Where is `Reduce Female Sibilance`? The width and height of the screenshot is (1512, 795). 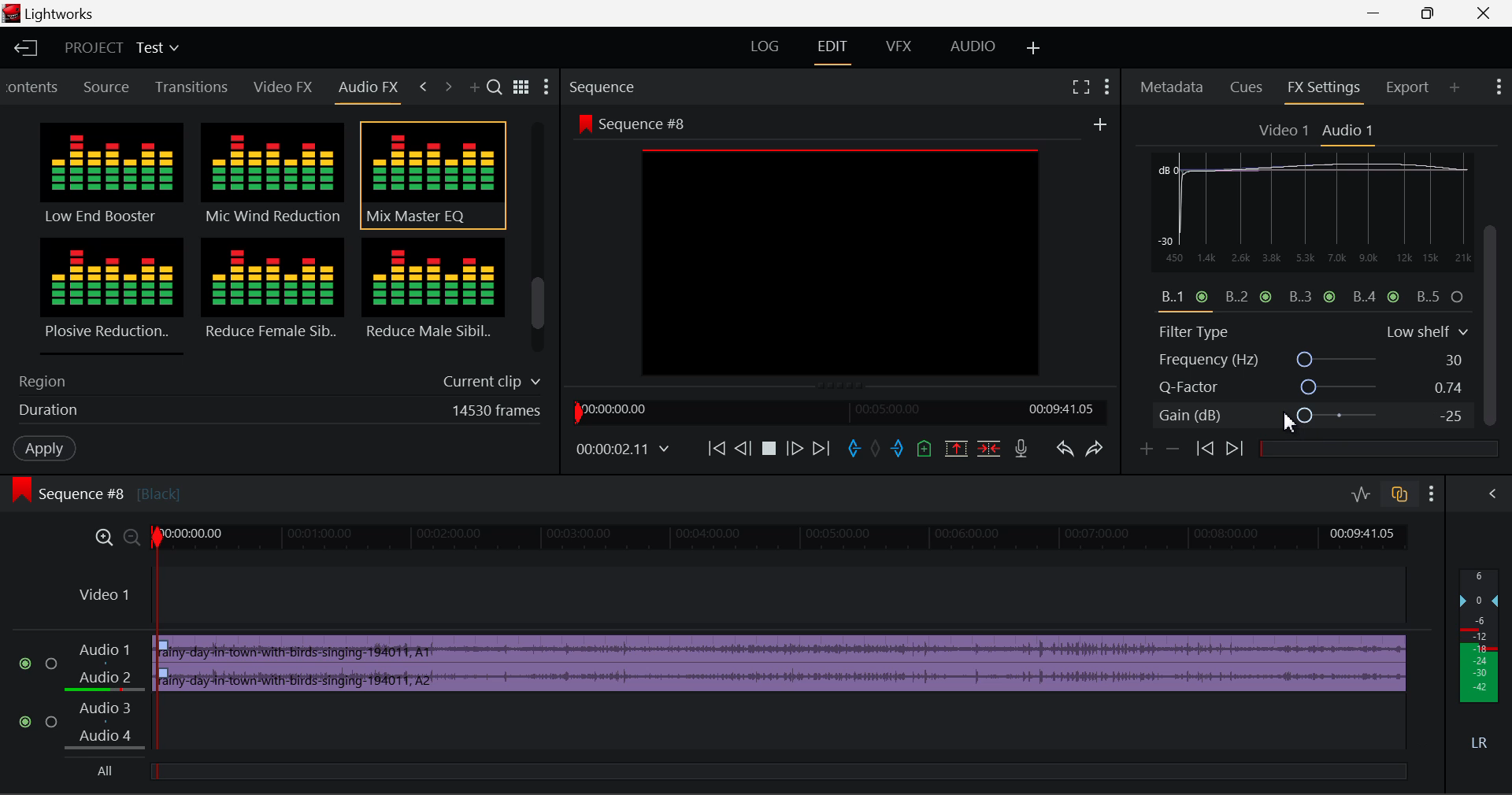 Reduce Female Sibilance is located at coordinates (273, 296).